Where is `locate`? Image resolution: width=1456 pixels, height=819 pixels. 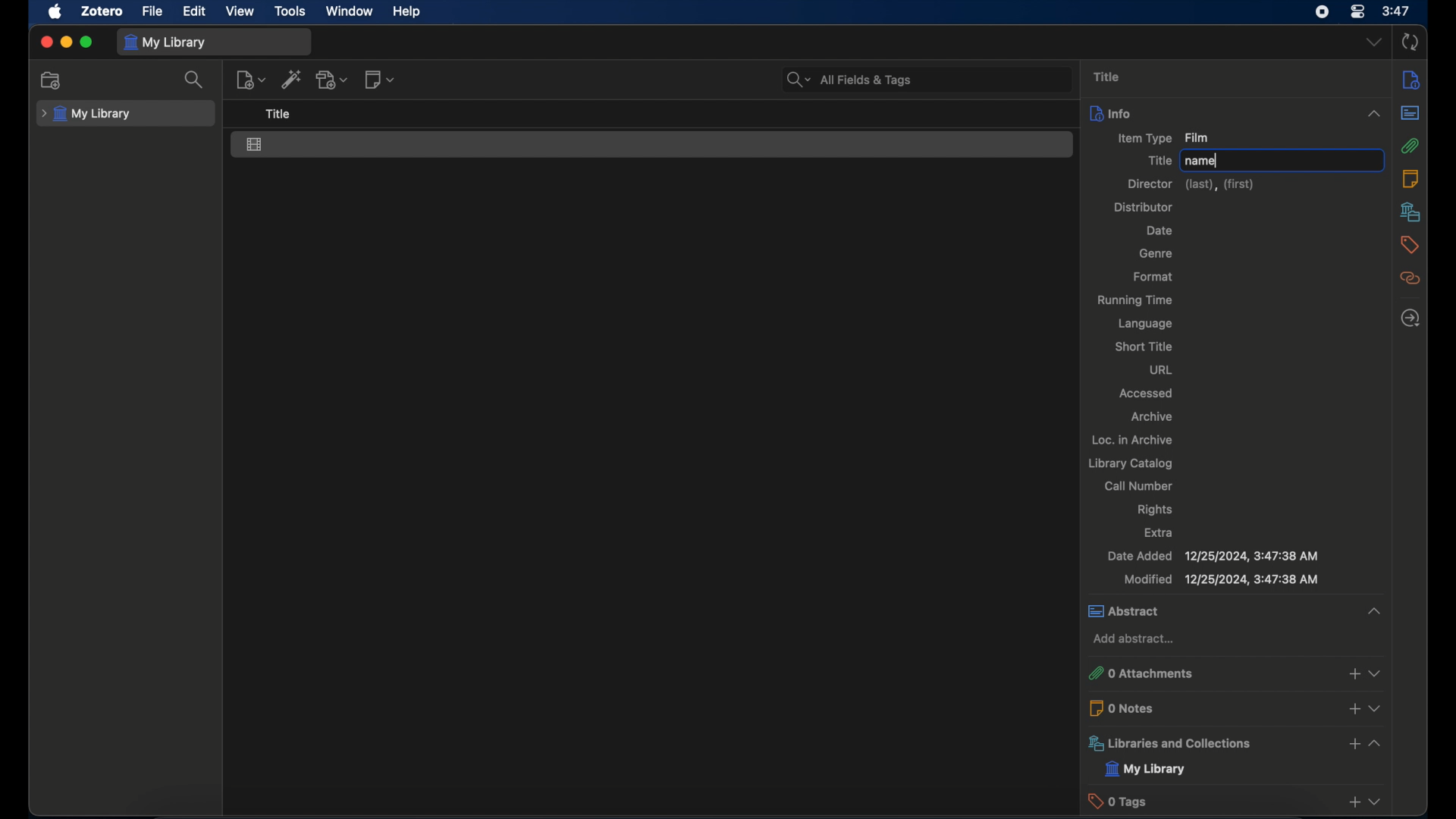 locate is located at coordinates (1411, 318).